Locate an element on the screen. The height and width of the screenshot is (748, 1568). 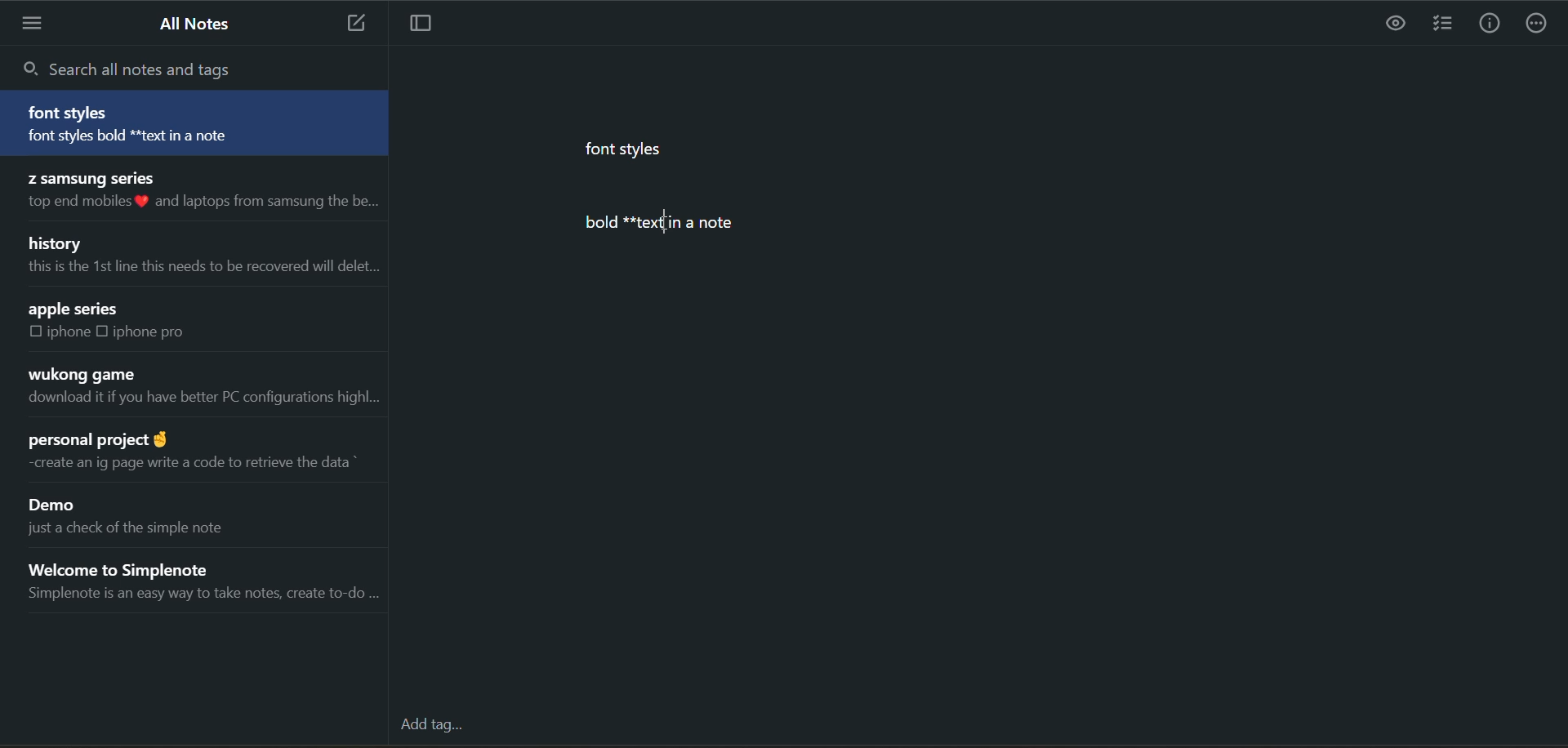
top end mobiles % and laptops from samsung the be... is located at coordinates (198, 203).